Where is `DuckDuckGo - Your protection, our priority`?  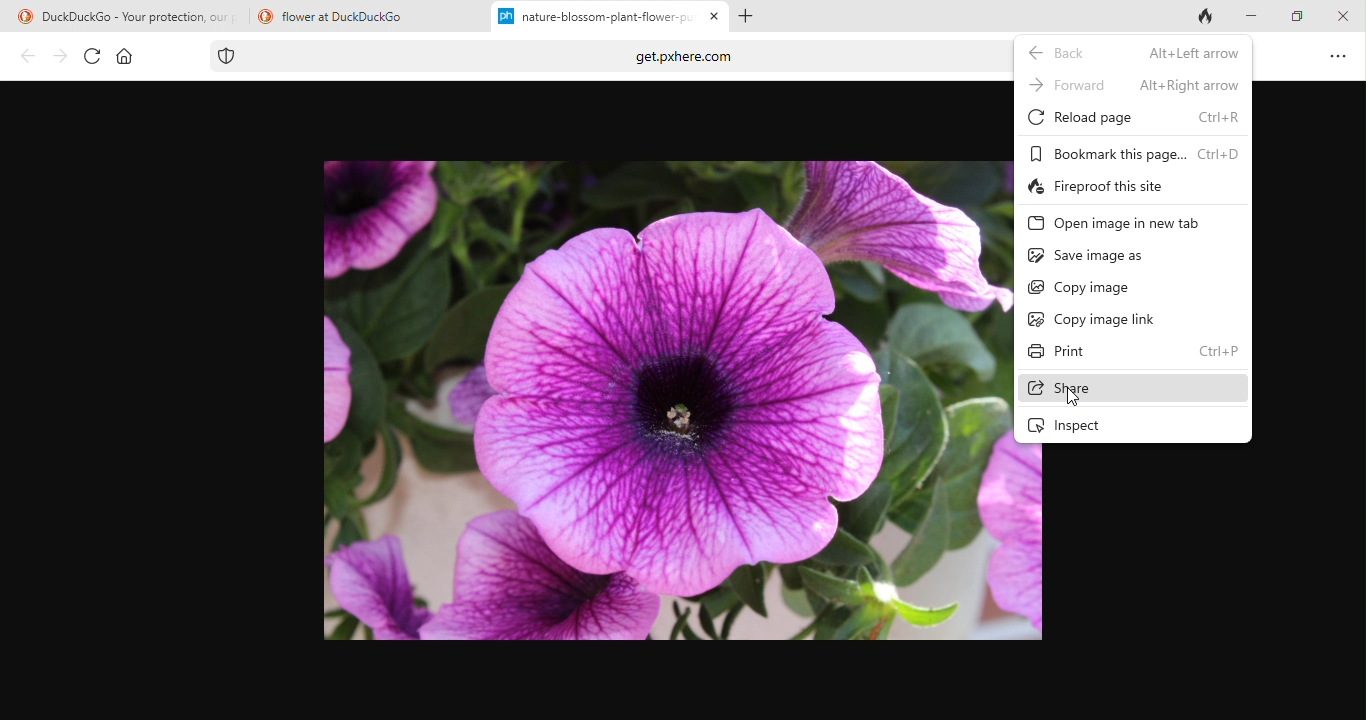 DuckDuckGo - Your protection, our priority is located at coordinates (144, 17).